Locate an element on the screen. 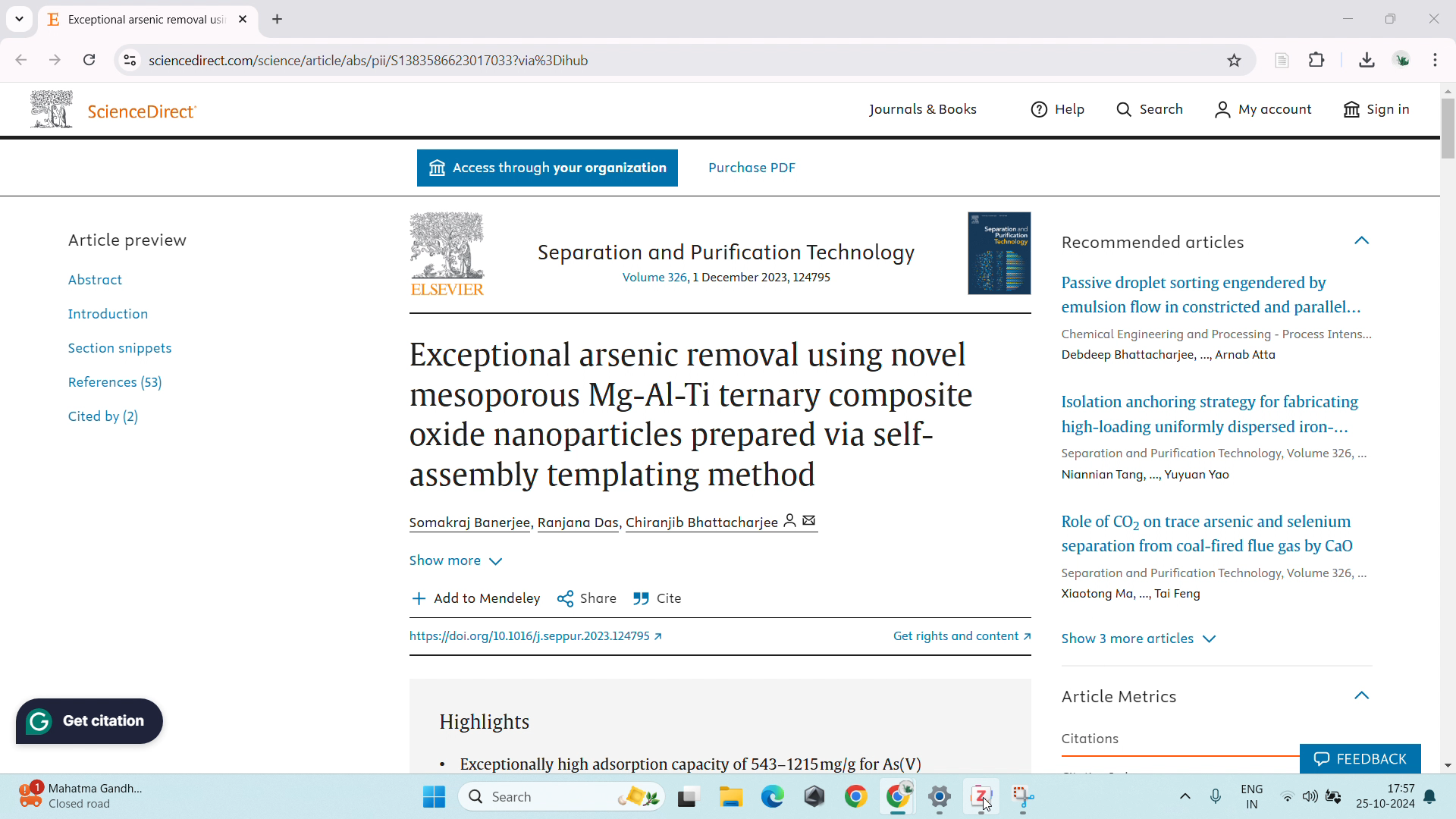 This screenshot has height=819, width=1456. Separation and Purification Technology, Volume 326, ...
Xiaotong Ma, ..., Tai Feng is located at coordinates (1211, 585).